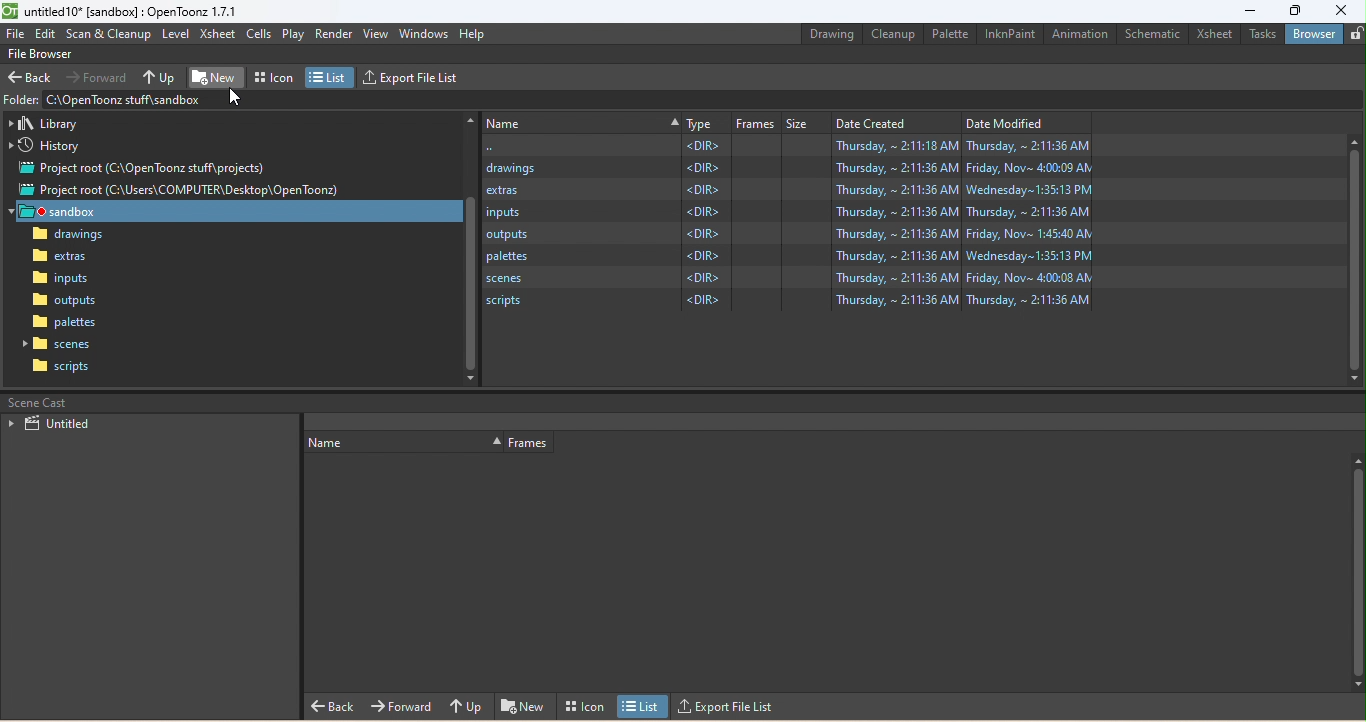  Describe the element at coordinates (707, 125) in the screenshot. I see `Type` at that location.